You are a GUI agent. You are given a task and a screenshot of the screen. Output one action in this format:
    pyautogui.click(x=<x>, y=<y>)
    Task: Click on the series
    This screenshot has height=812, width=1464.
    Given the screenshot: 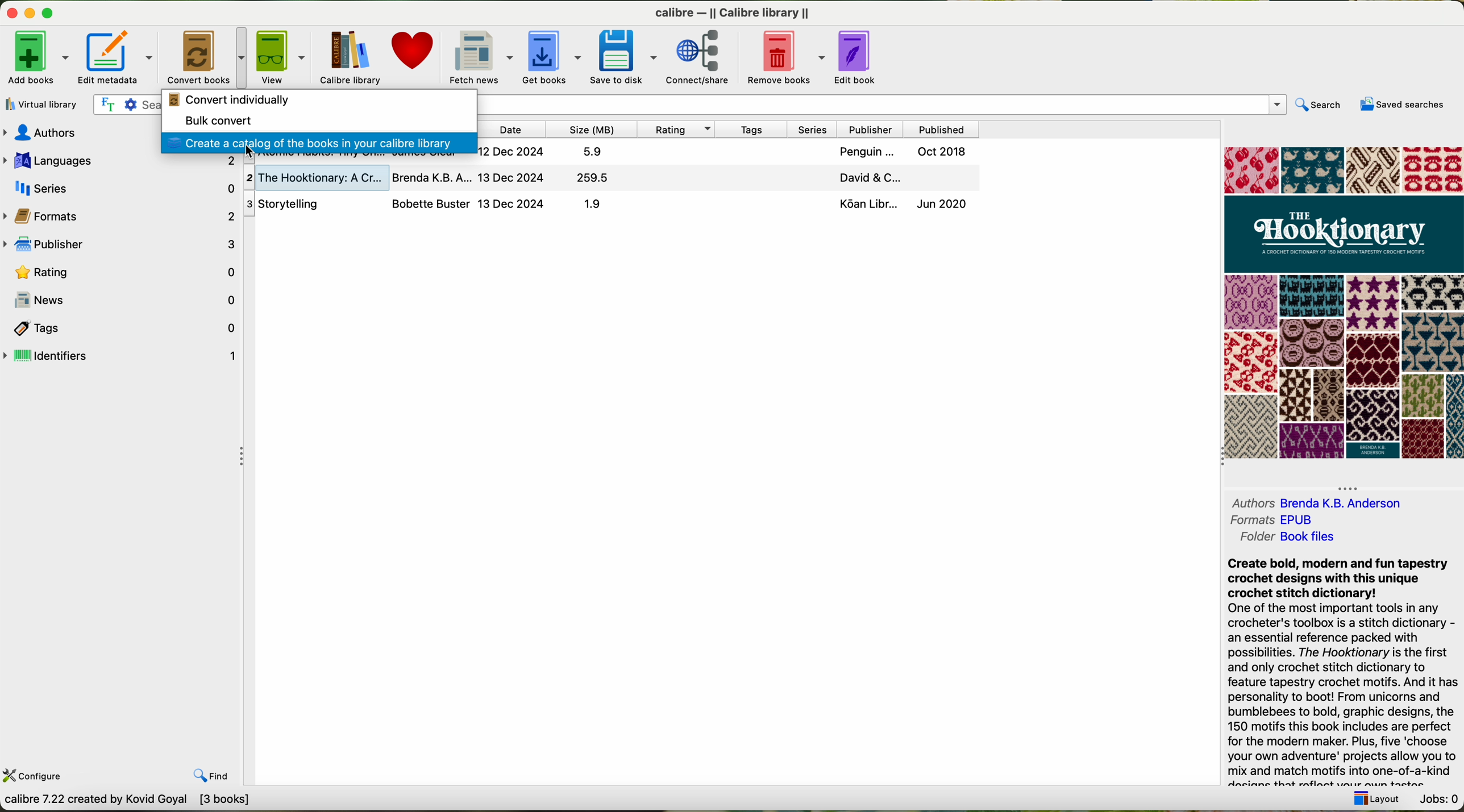 What is the action you would take?
    pyautogui.click(x=812, y=130)
    